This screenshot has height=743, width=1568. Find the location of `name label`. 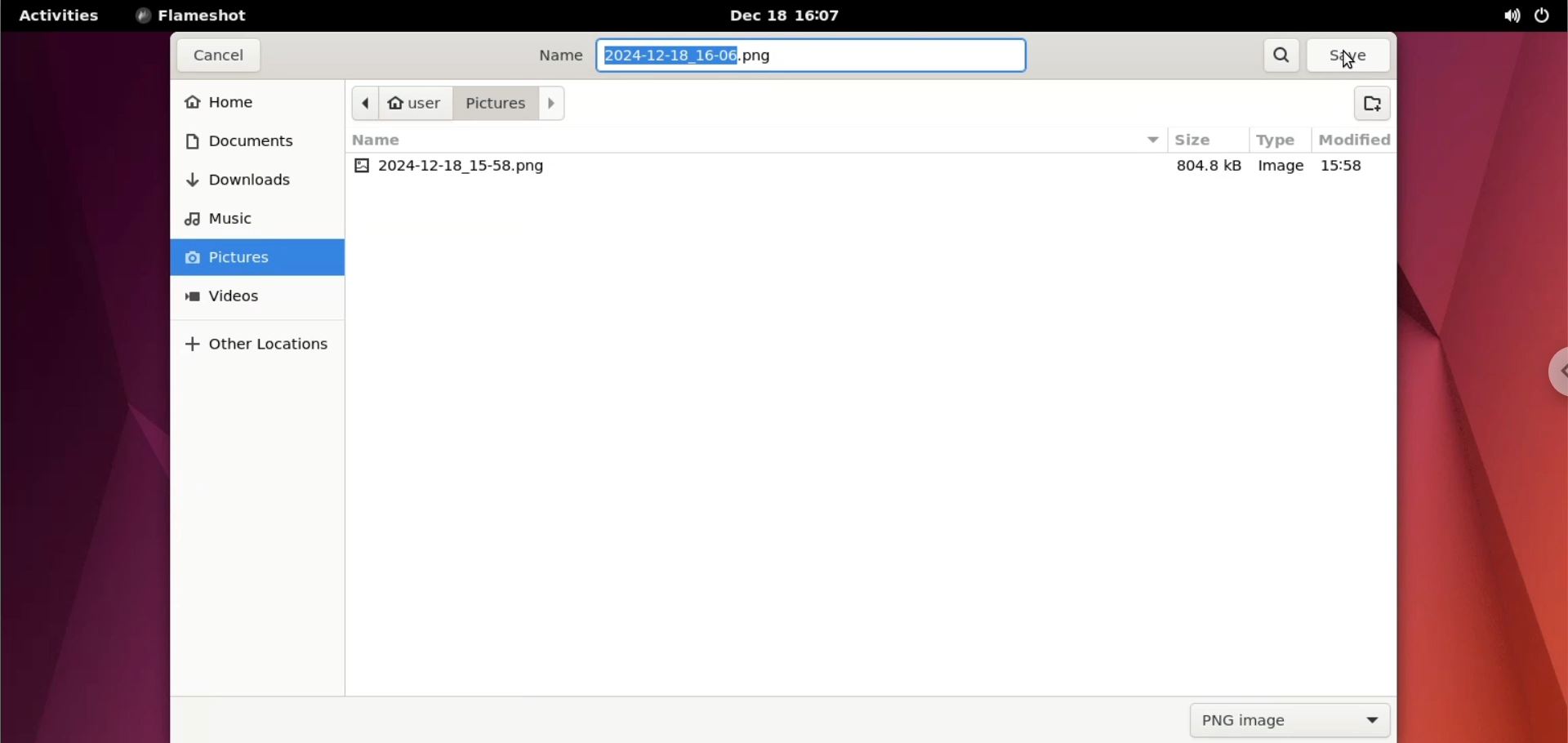

name label is located at coordinates (393, 140).